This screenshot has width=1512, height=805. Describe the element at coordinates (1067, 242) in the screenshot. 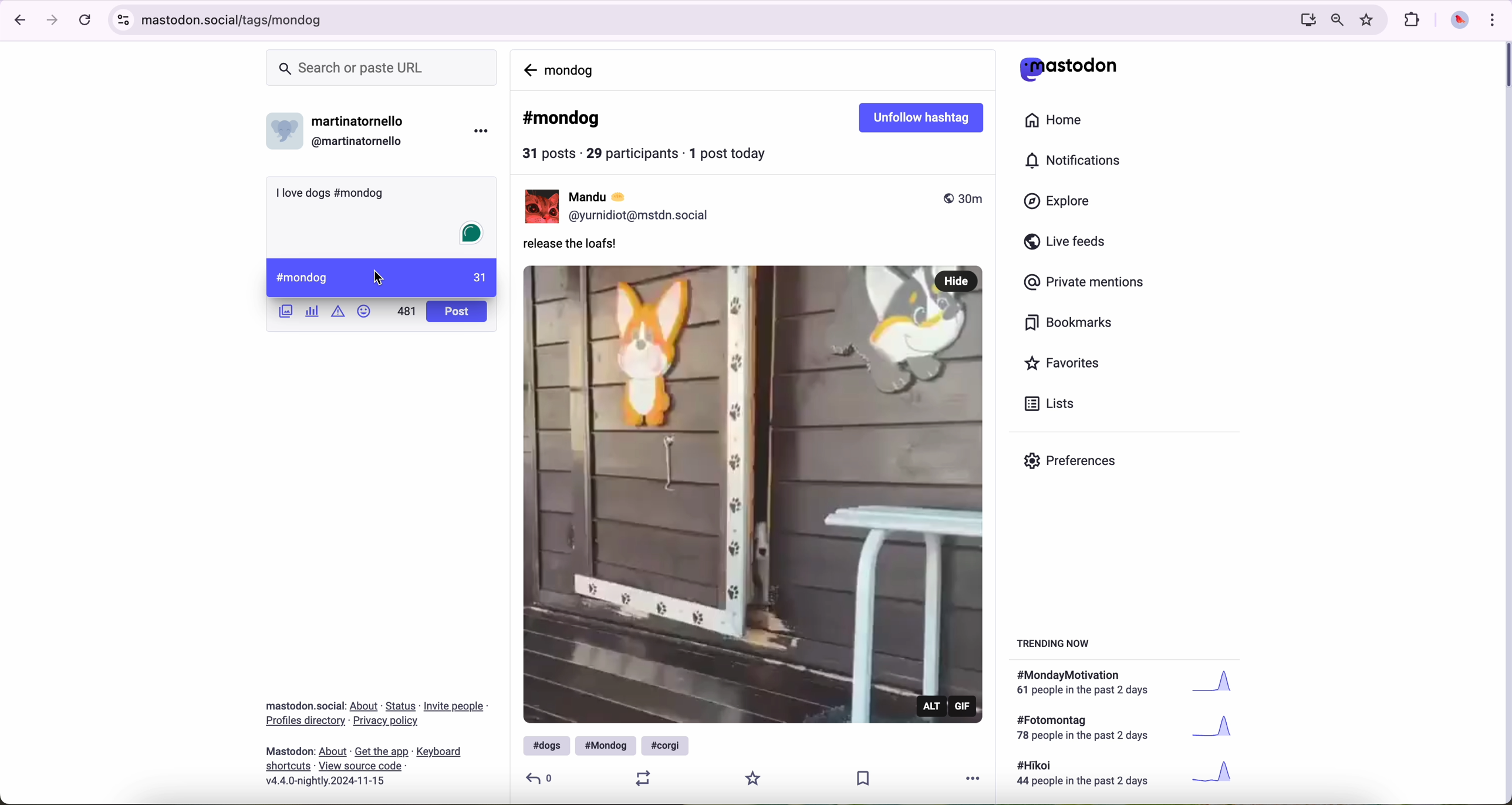

I see `live feeds` at that location.